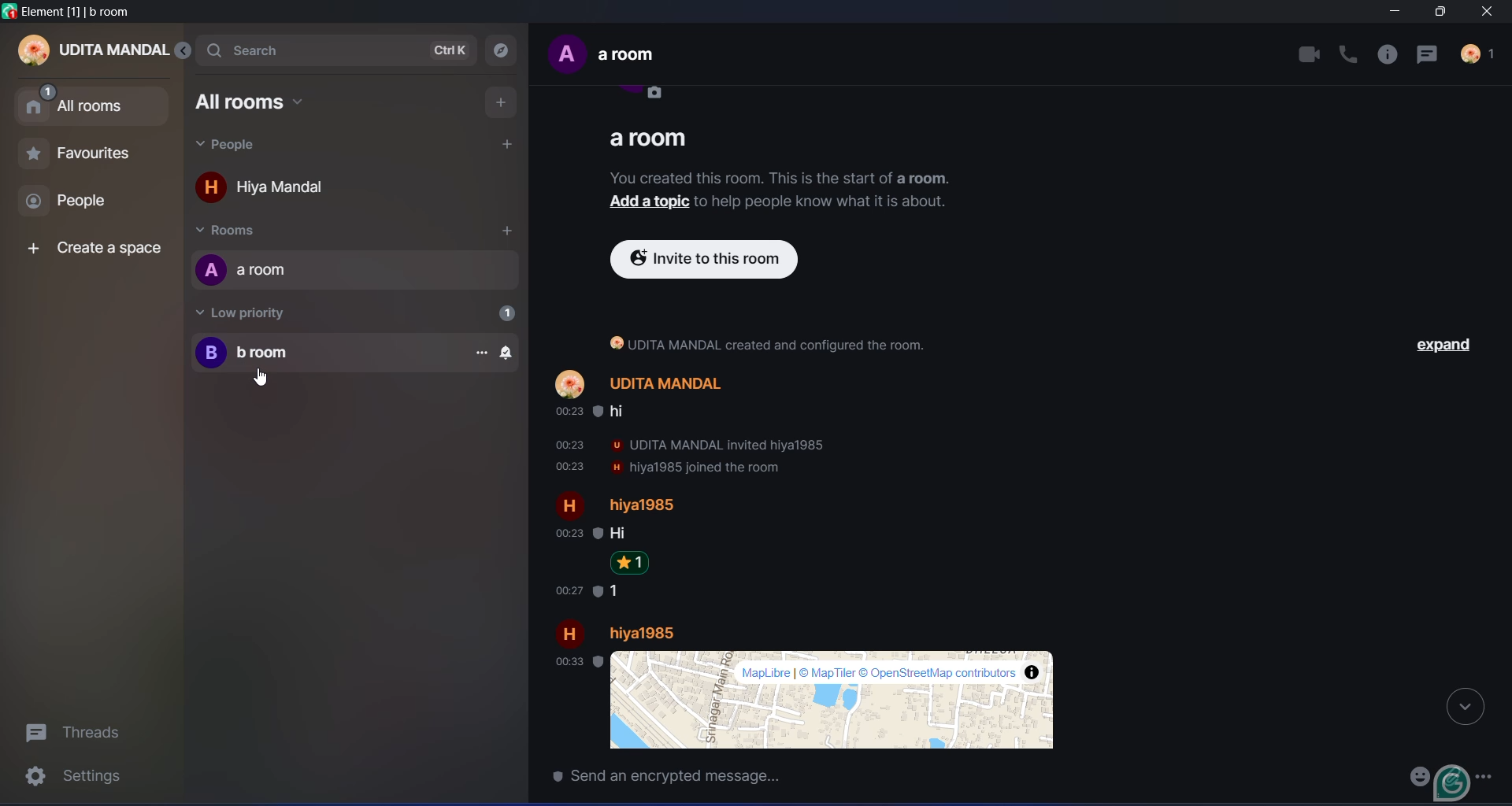  What do you see at coordinates (504, 232) in the screenshot?
I see `add room` at bounding box center [504, 232].